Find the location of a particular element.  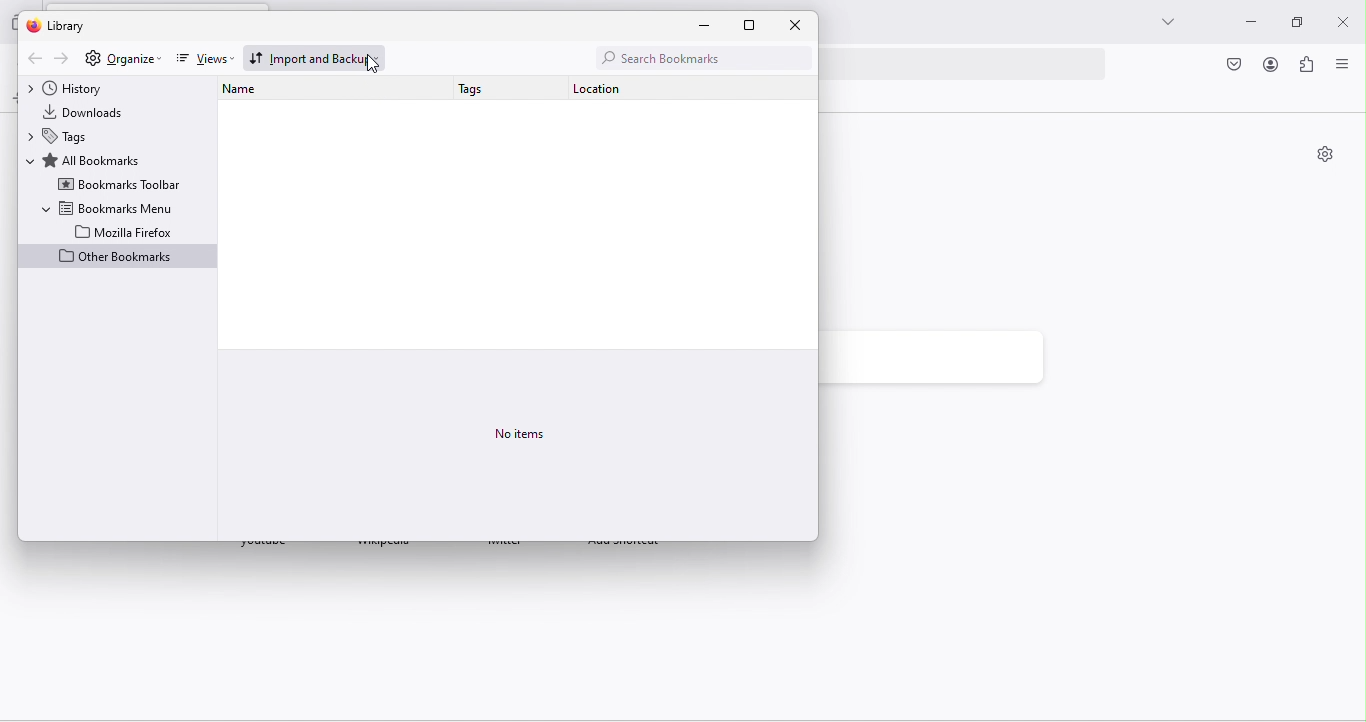

extension is located at coordinates (1308, 67).